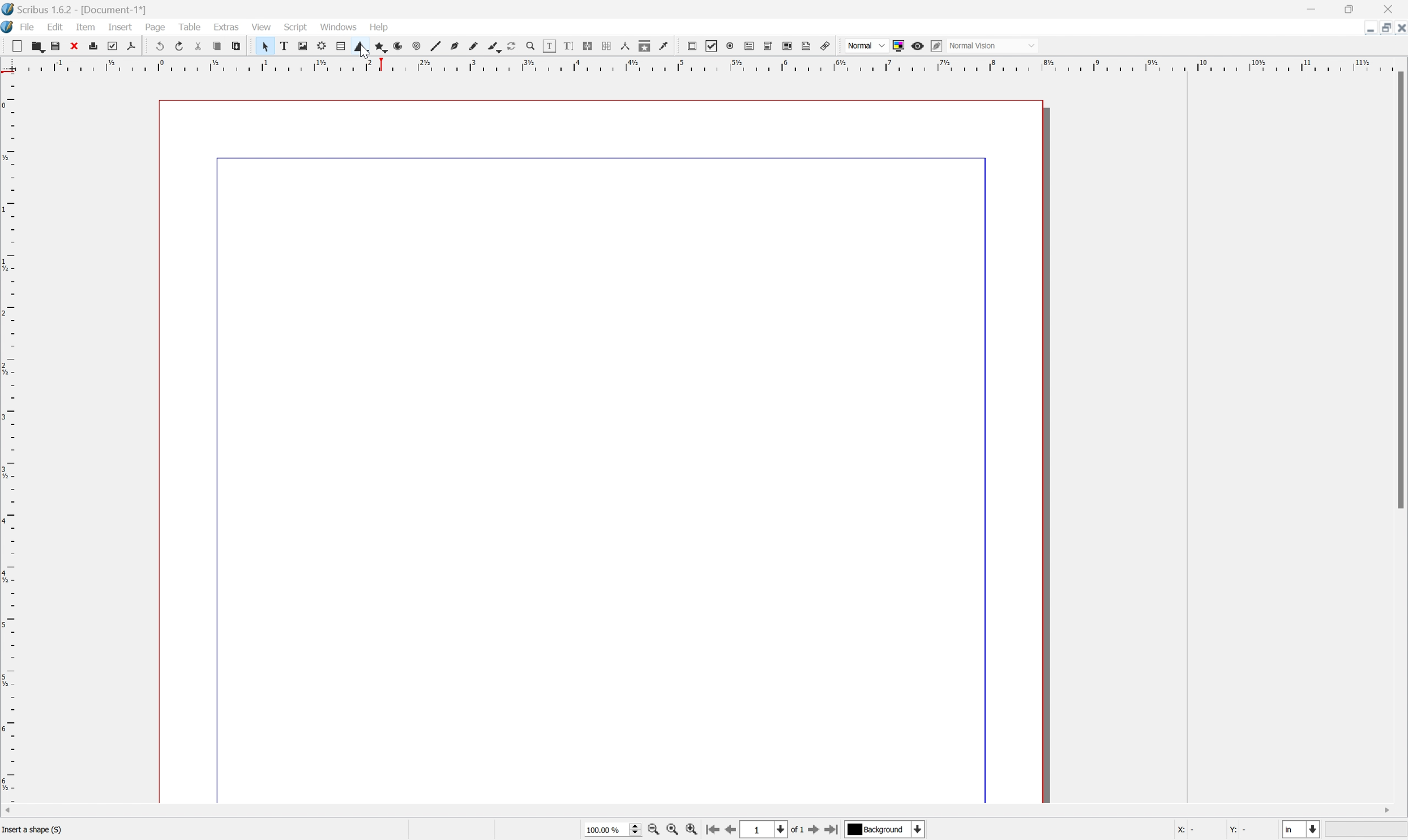 The height and width of the screenshot is (840, 1408). What do you see at coordinates (729, 46) in the screenshot?
I see `PDF radio button` at bounding box center [729, 46].